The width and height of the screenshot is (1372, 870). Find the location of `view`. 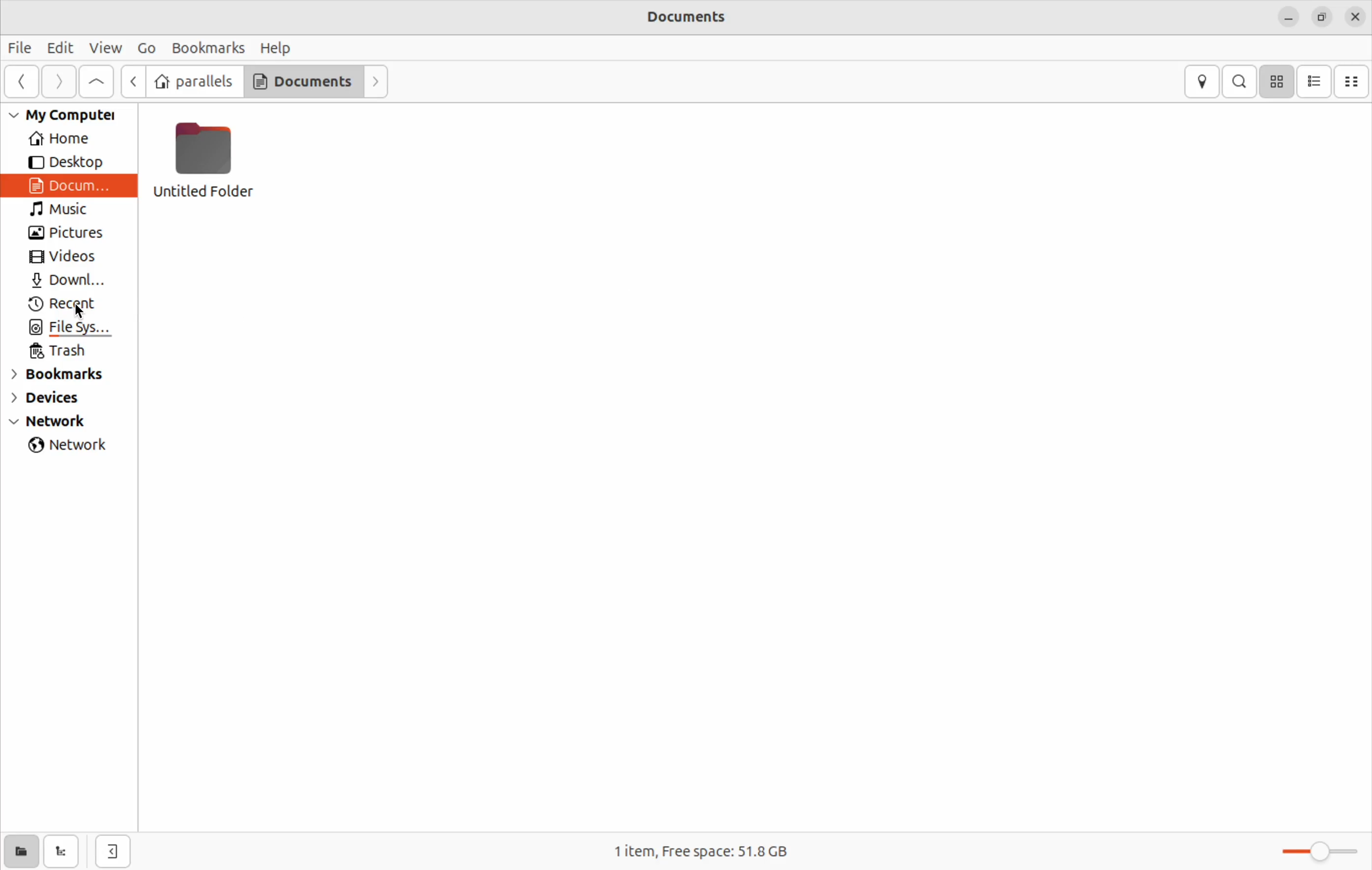

view is located at coordinates (104, 47).